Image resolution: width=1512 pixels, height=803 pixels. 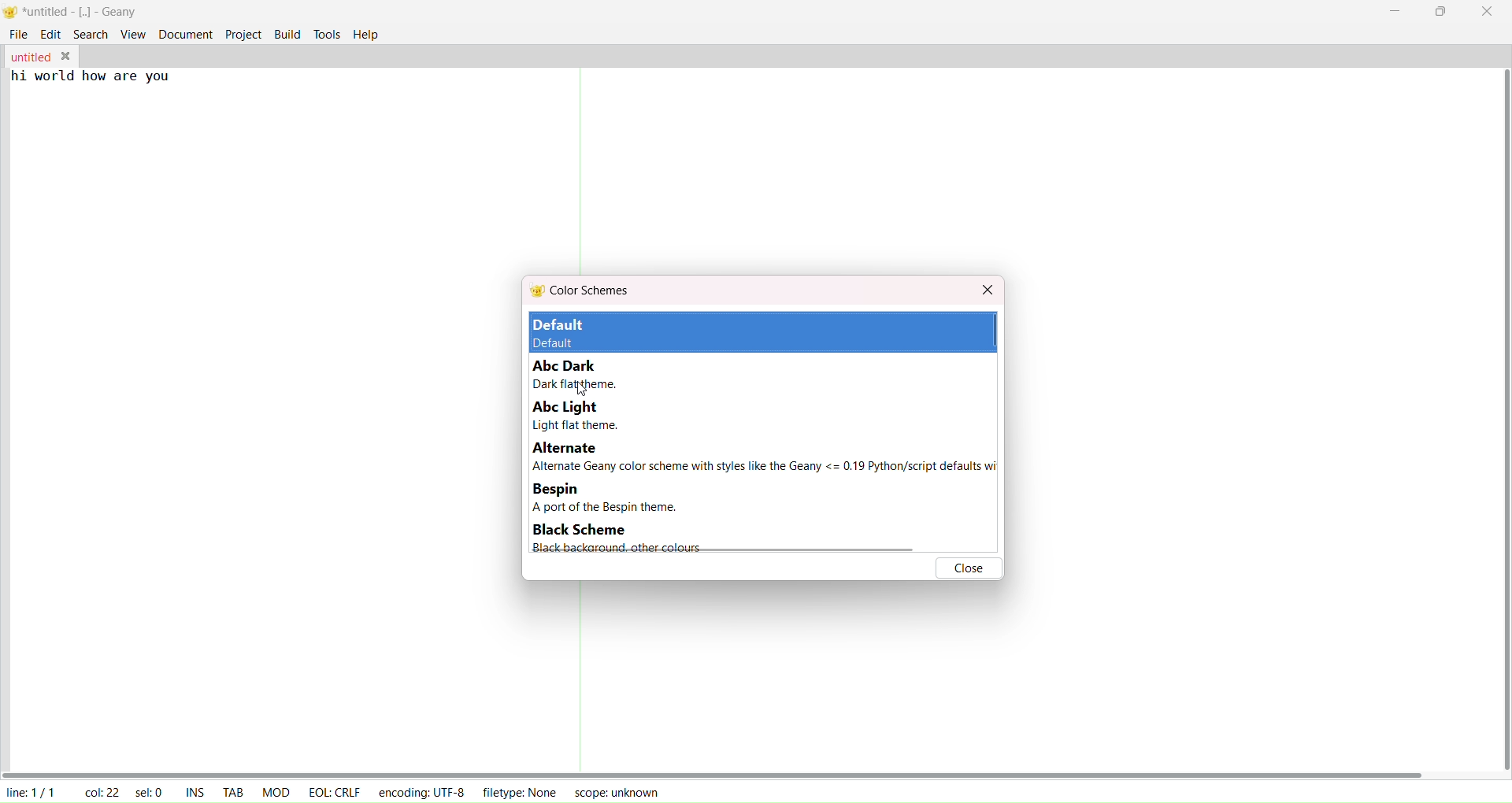 I want to click on tools, so click(x=325, y=35).